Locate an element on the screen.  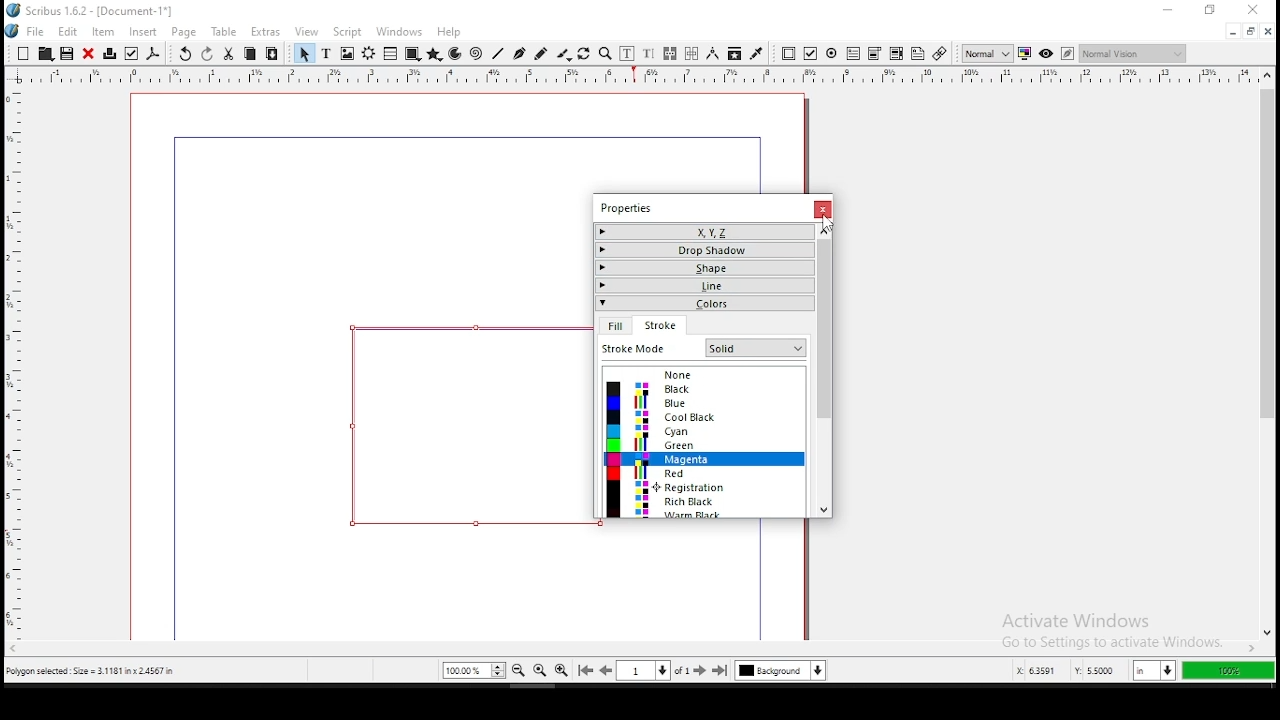
save is located at coordinates (66, 53).